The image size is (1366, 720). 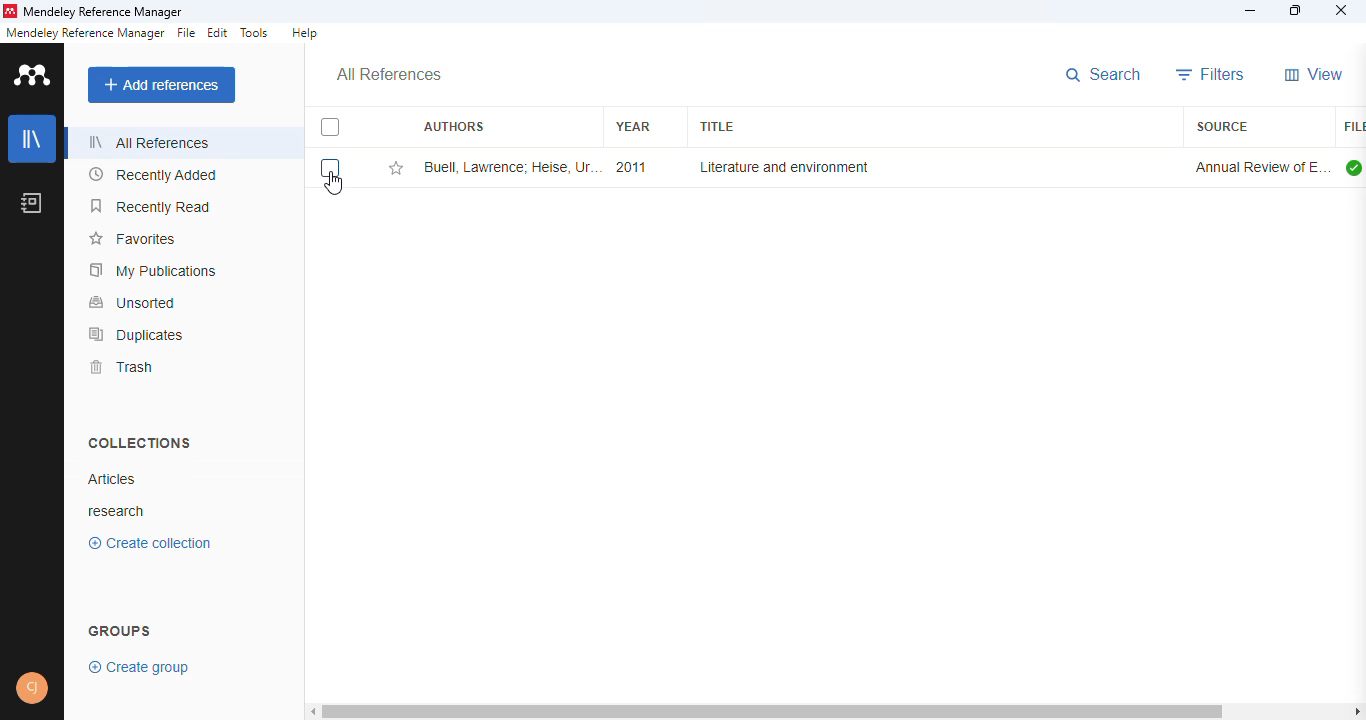 I want to click on collections, so click(x=141, y=443).